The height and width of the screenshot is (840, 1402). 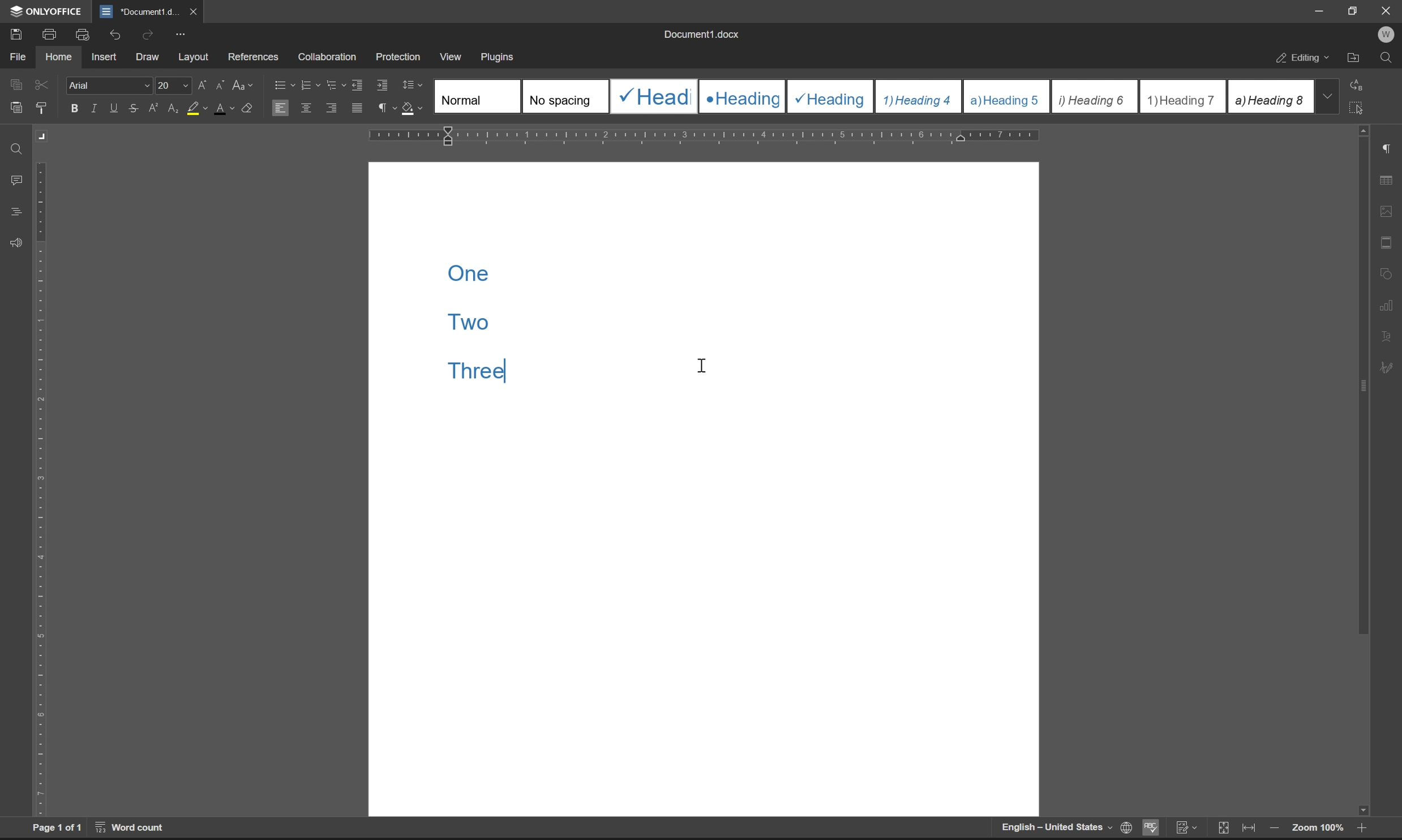 I want to click on Heading 6, so click(x=1094, y=97).